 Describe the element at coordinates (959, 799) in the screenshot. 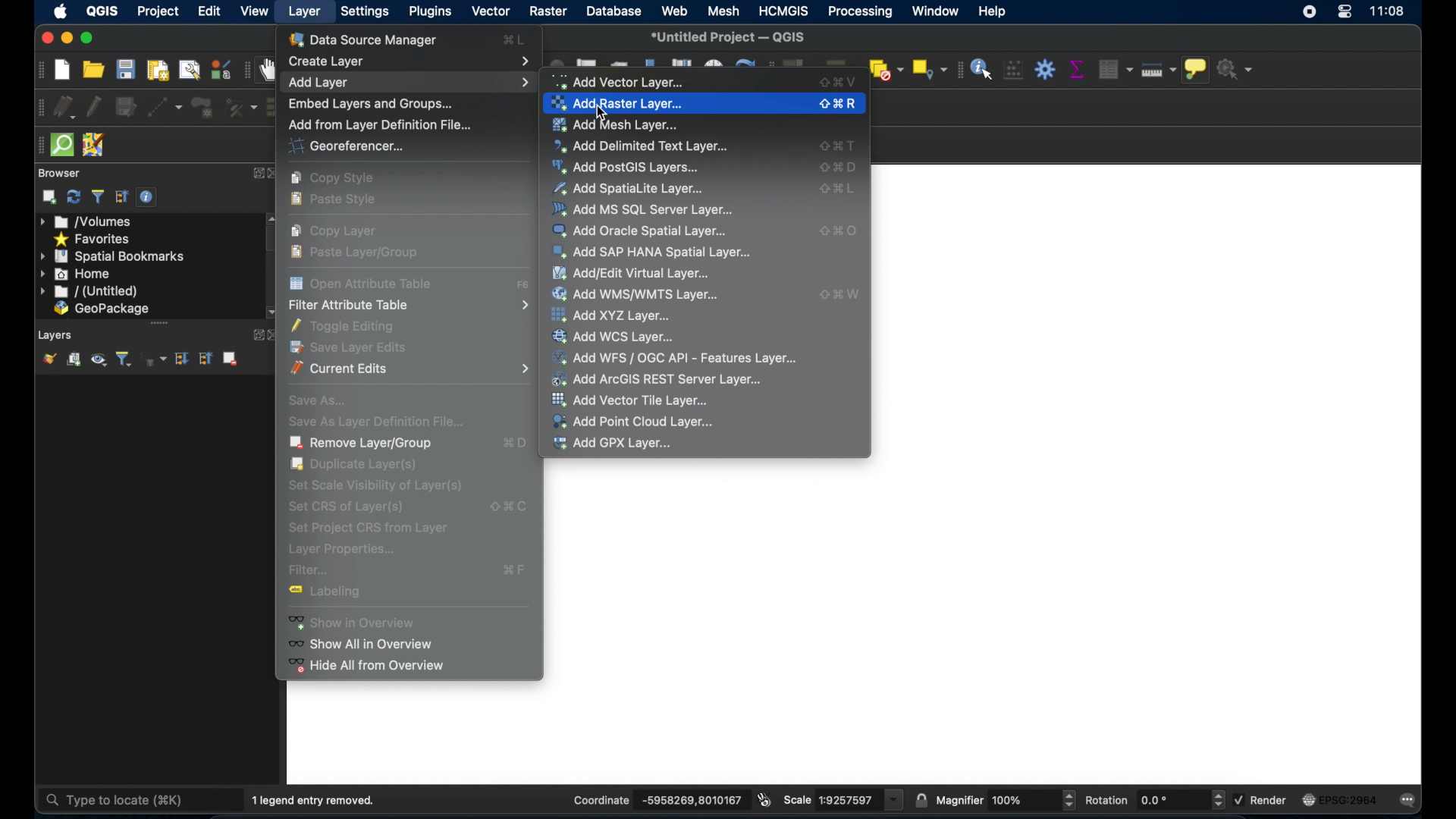

I see `magnifier` at that location.